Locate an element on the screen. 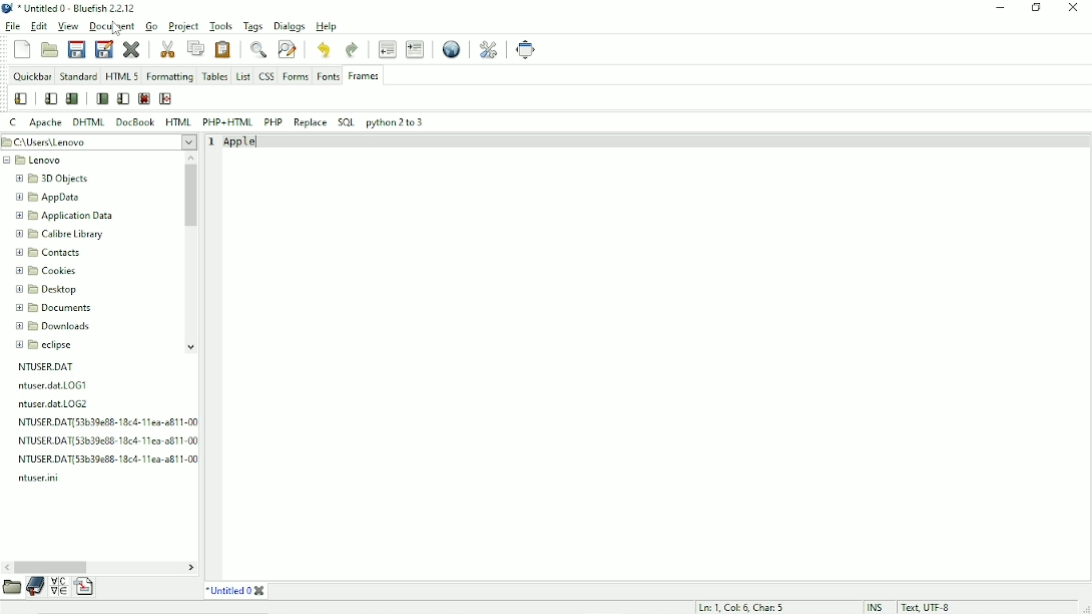  Edit preferences is located at coordinates (489, 47).